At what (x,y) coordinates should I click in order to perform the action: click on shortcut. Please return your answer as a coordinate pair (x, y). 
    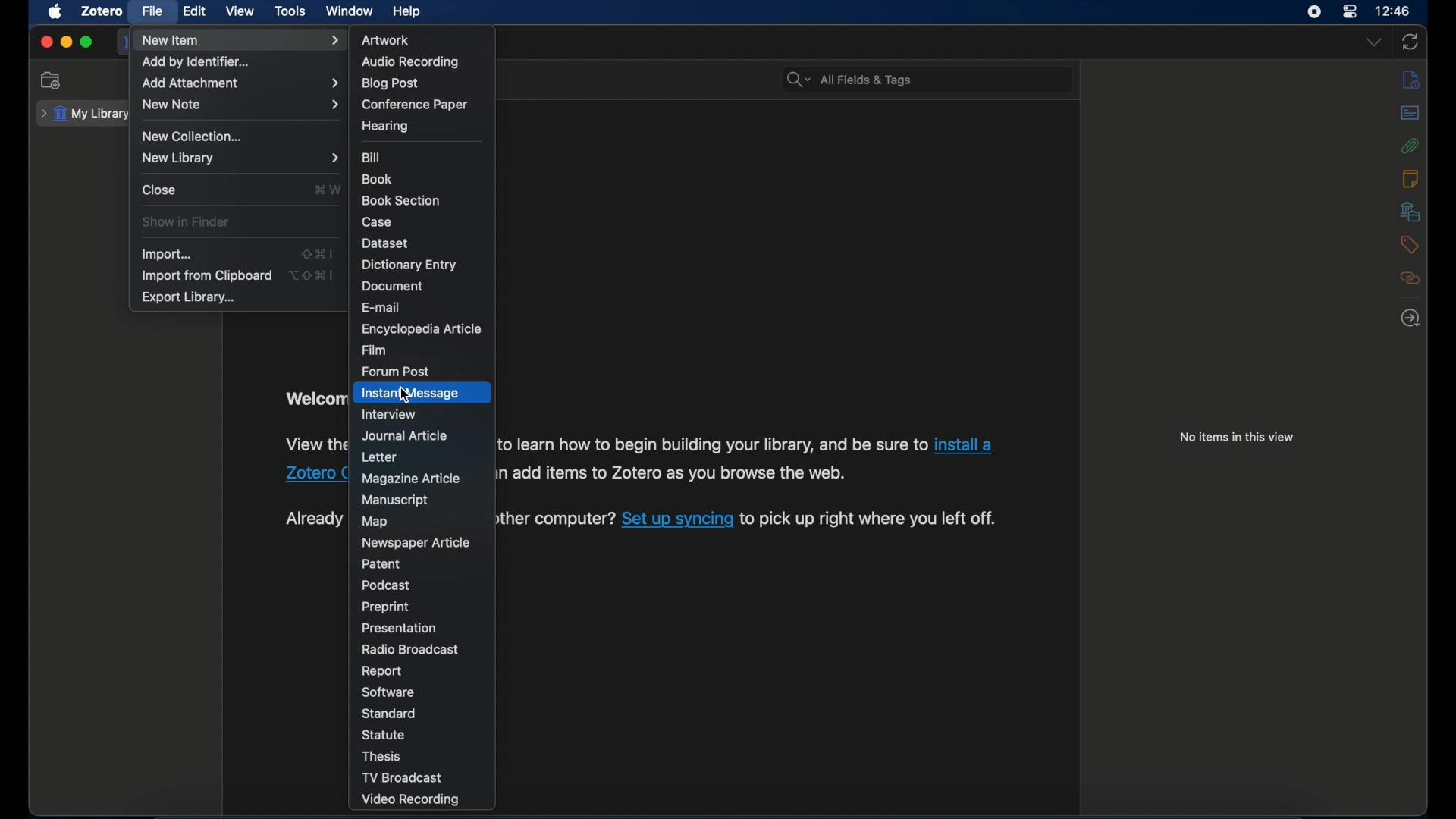
    Looking at the image, I should click on (326, 189).